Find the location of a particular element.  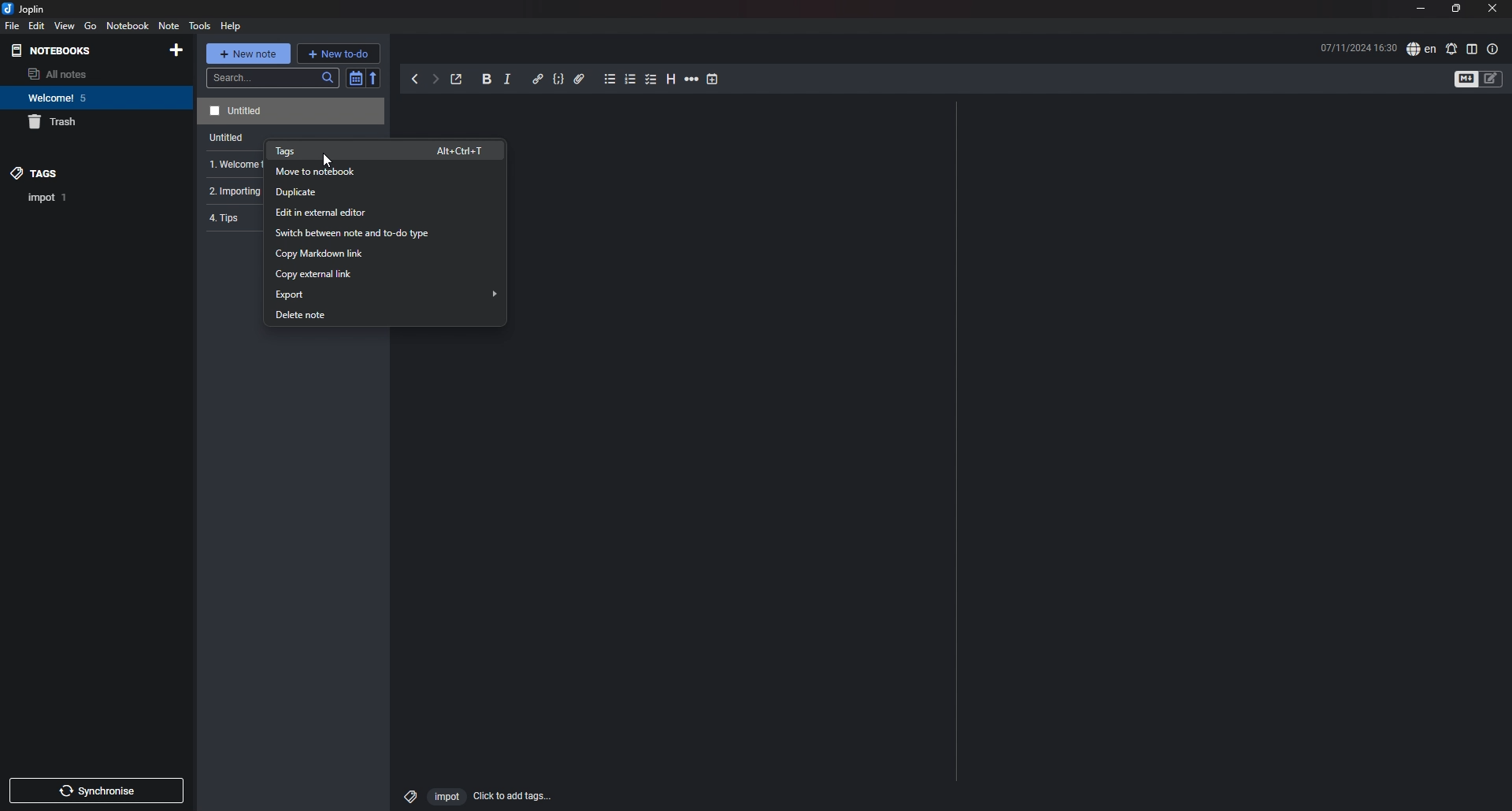

view is located at coordinates (65, 26).